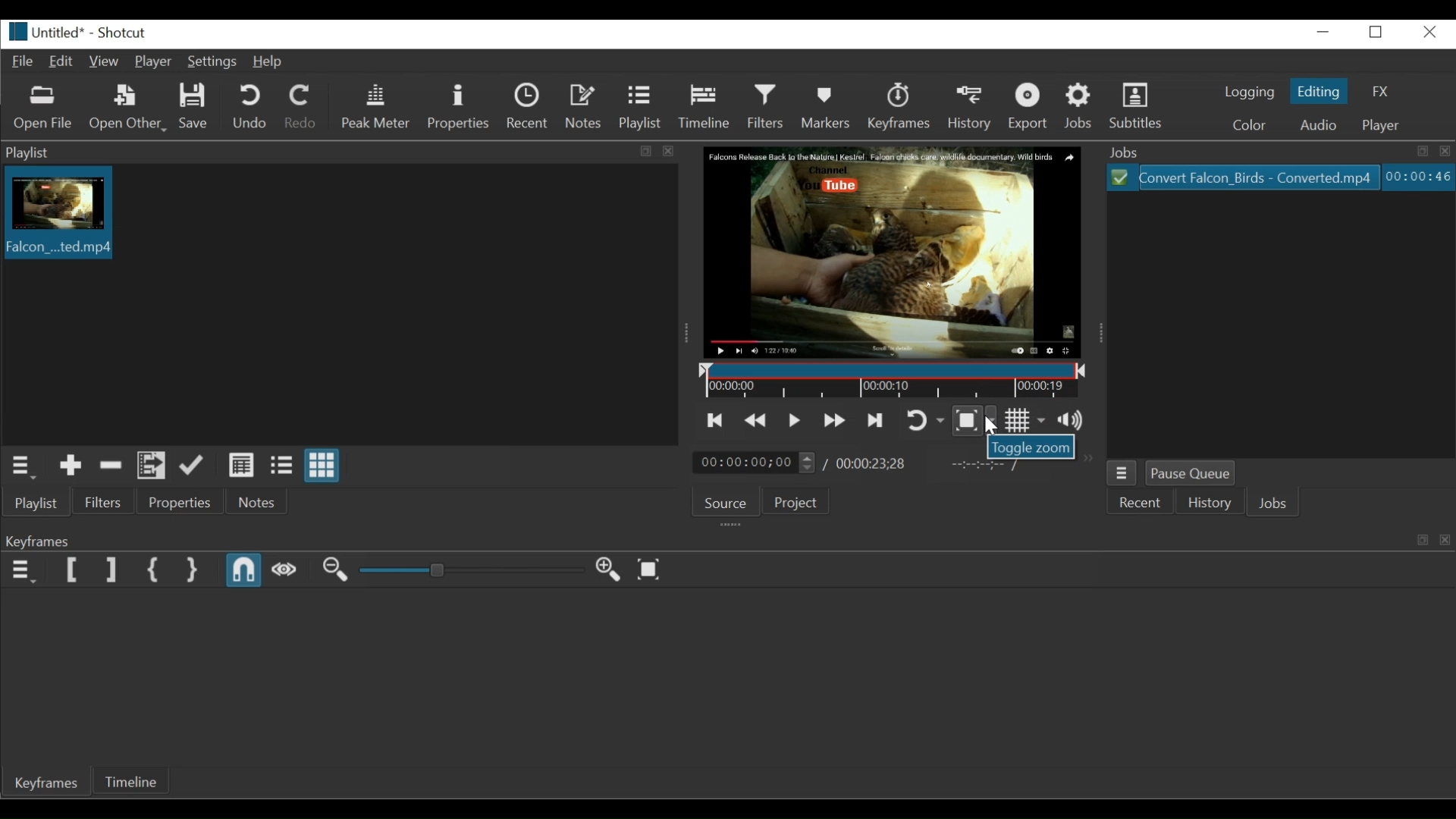 The height and width of the screenshot is (819, 1456). What do you see at coordinates (607, 571) in the screenshot?
I see `Zoom out Keyframe` at bounding box center [607, 571].